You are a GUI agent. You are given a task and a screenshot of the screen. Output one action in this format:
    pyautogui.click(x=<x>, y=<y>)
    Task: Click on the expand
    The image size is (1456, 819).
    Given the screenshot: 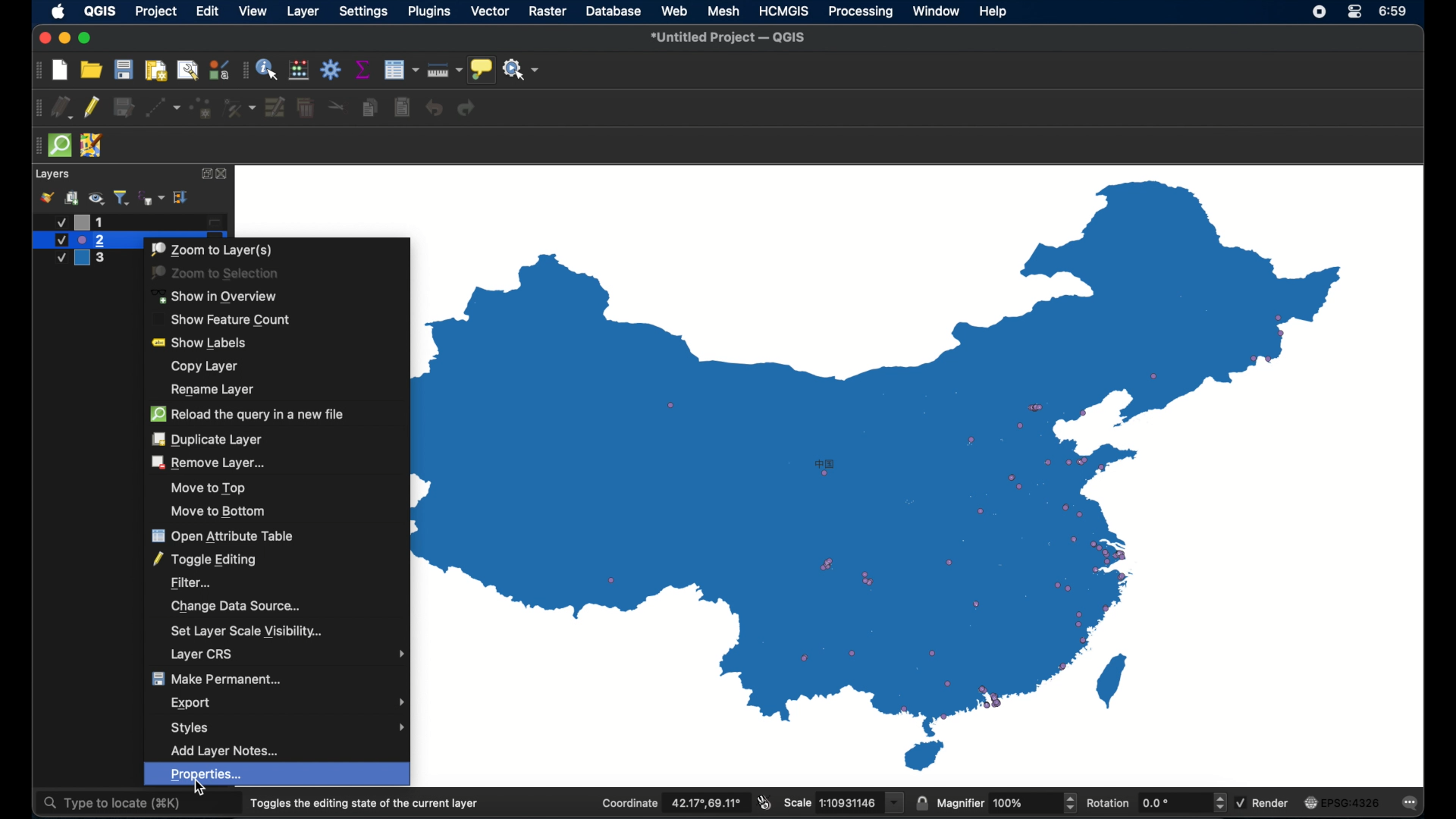 What is the action you would take?
    pyautogui.click(x=182, y=198)
    